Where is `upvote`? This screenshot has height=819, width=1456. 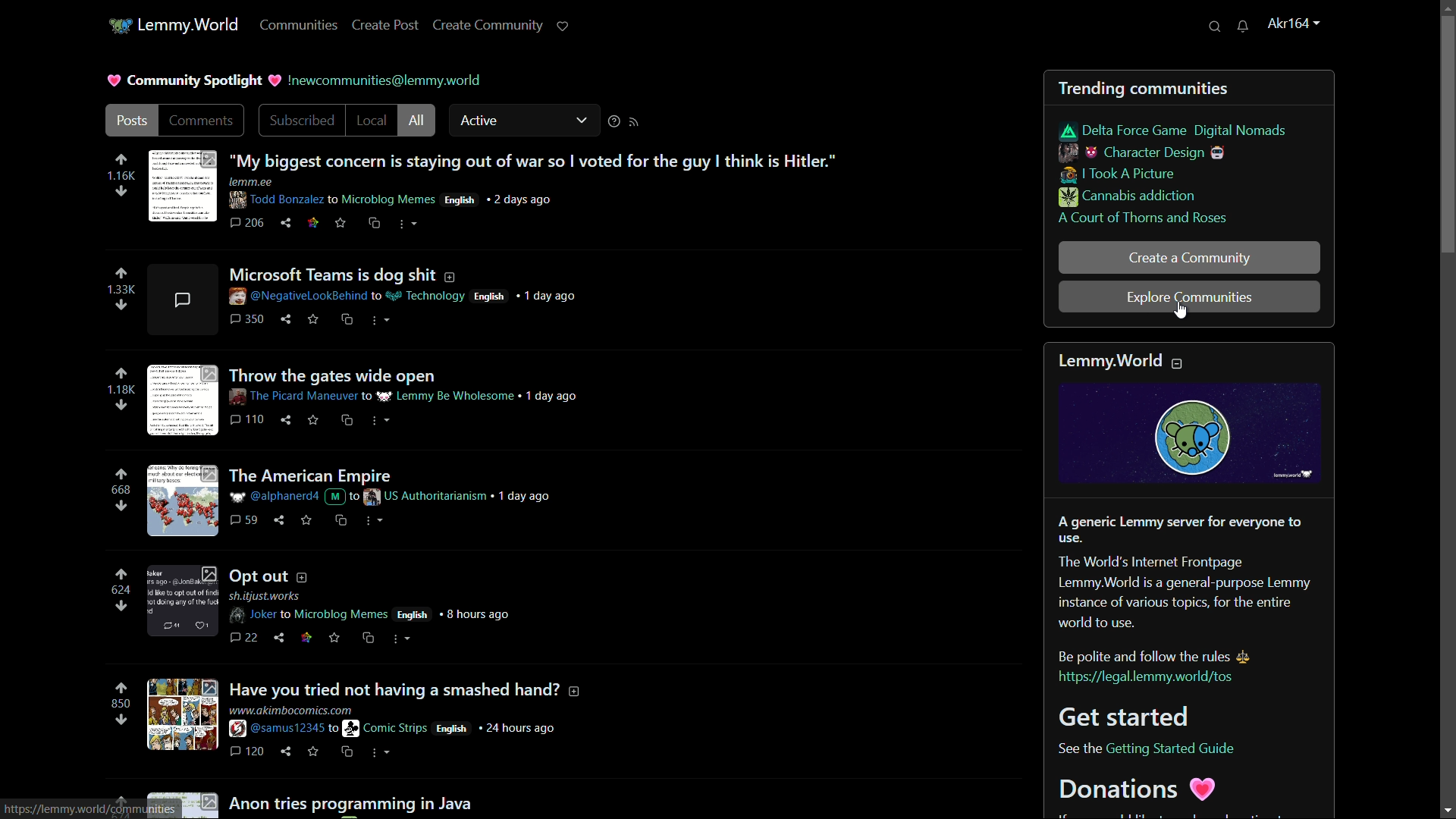 upvote is located at coordinates (121, 374).